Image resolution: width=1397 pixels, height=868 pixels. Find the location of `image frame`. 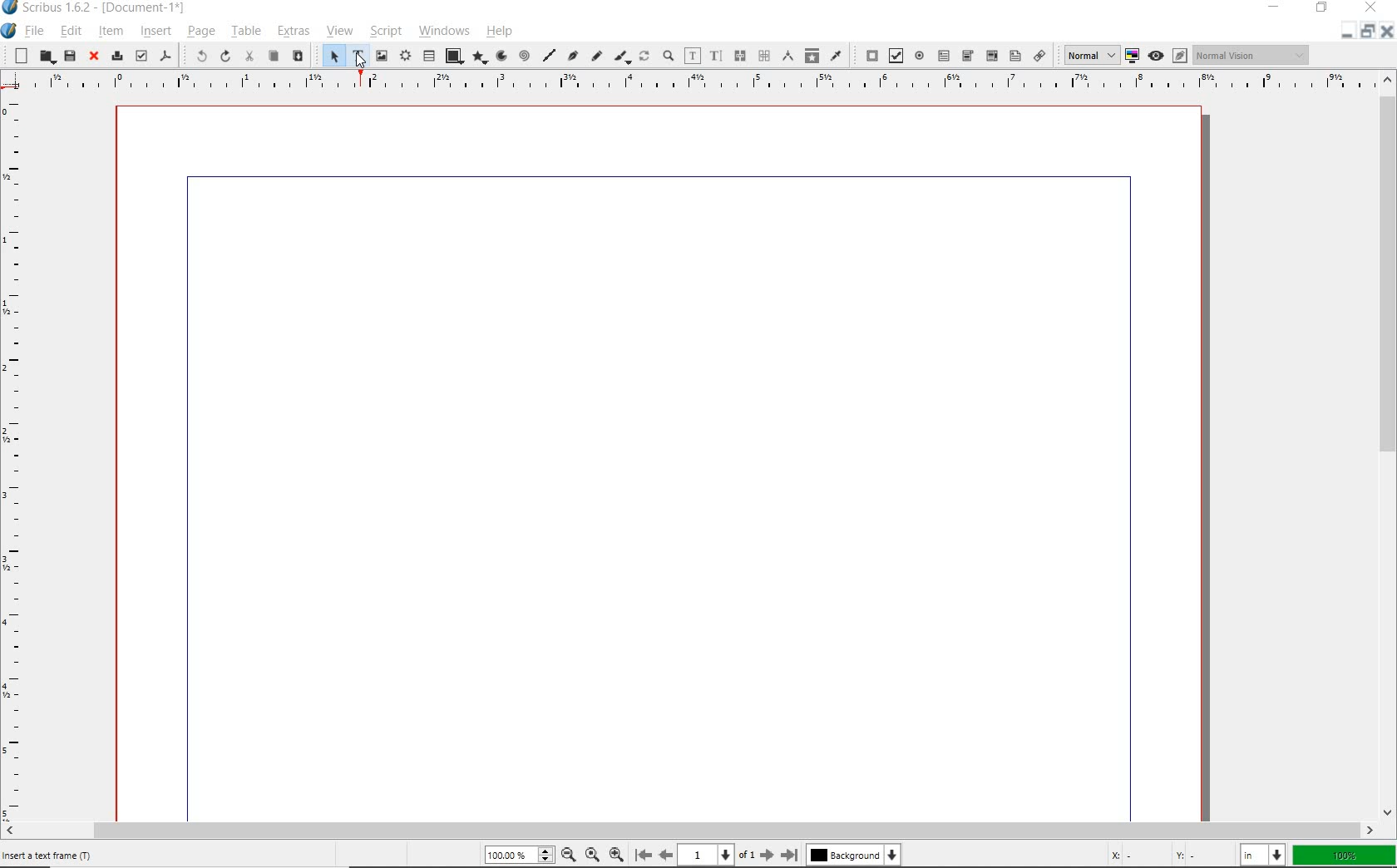

image frame is located at coordinates (381, 55).